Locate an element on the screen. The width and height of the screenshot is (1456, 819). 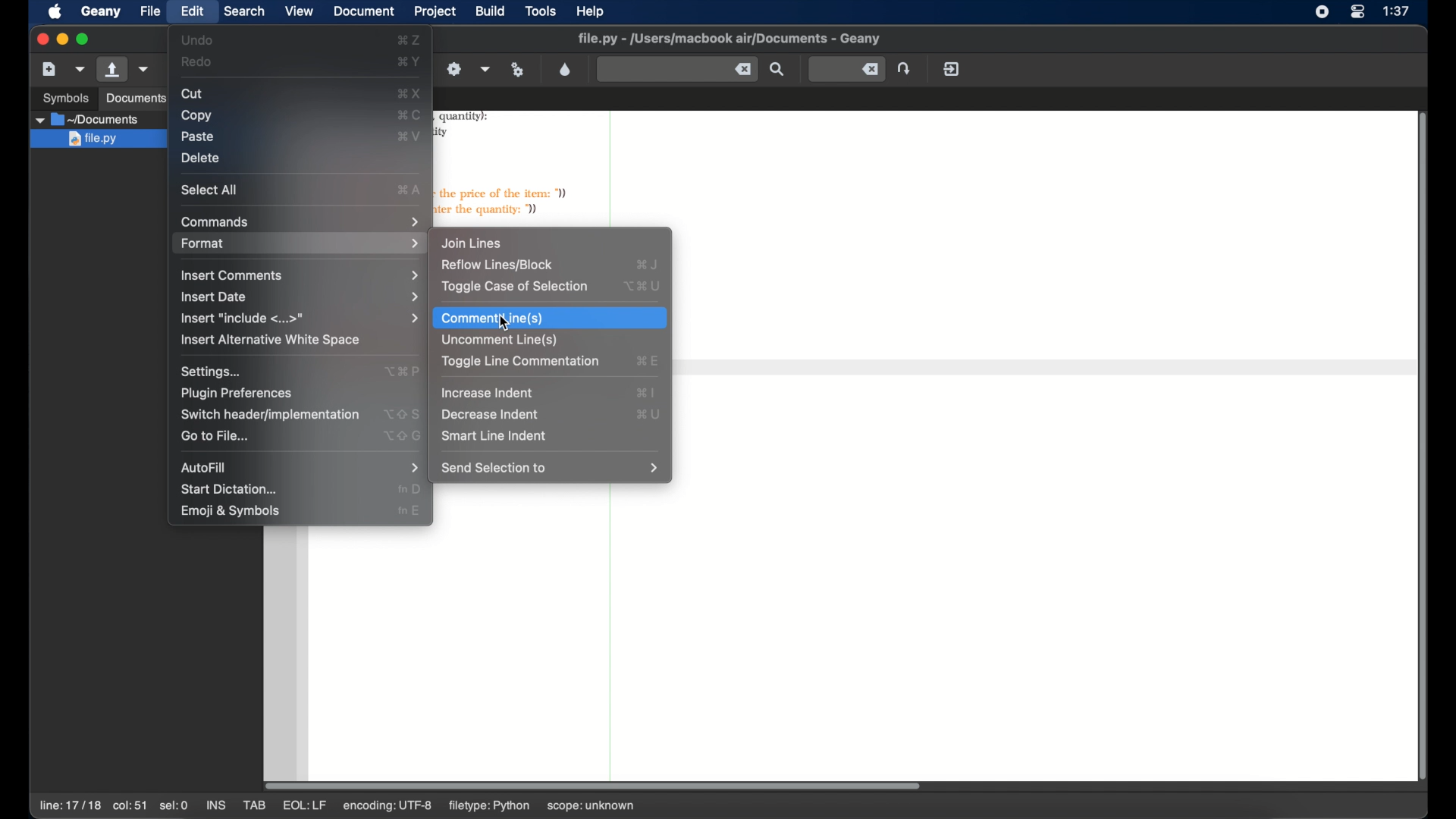
find the entered text in the current file is located at coordinates (778, 70).